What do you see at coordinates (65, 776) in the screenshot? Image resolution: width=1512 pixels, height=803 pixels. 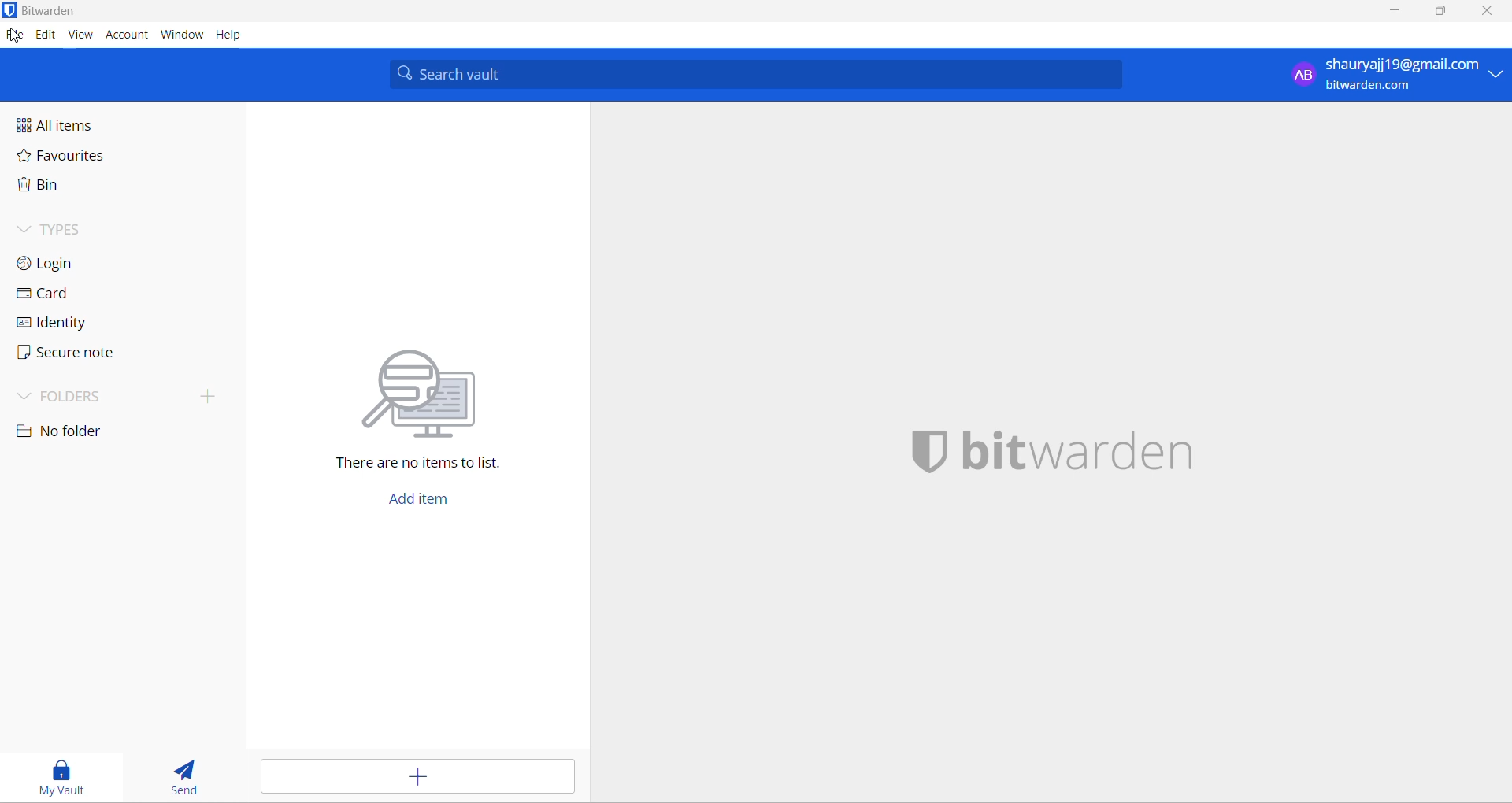 I see `my vault` at bounding box center [65, 776].